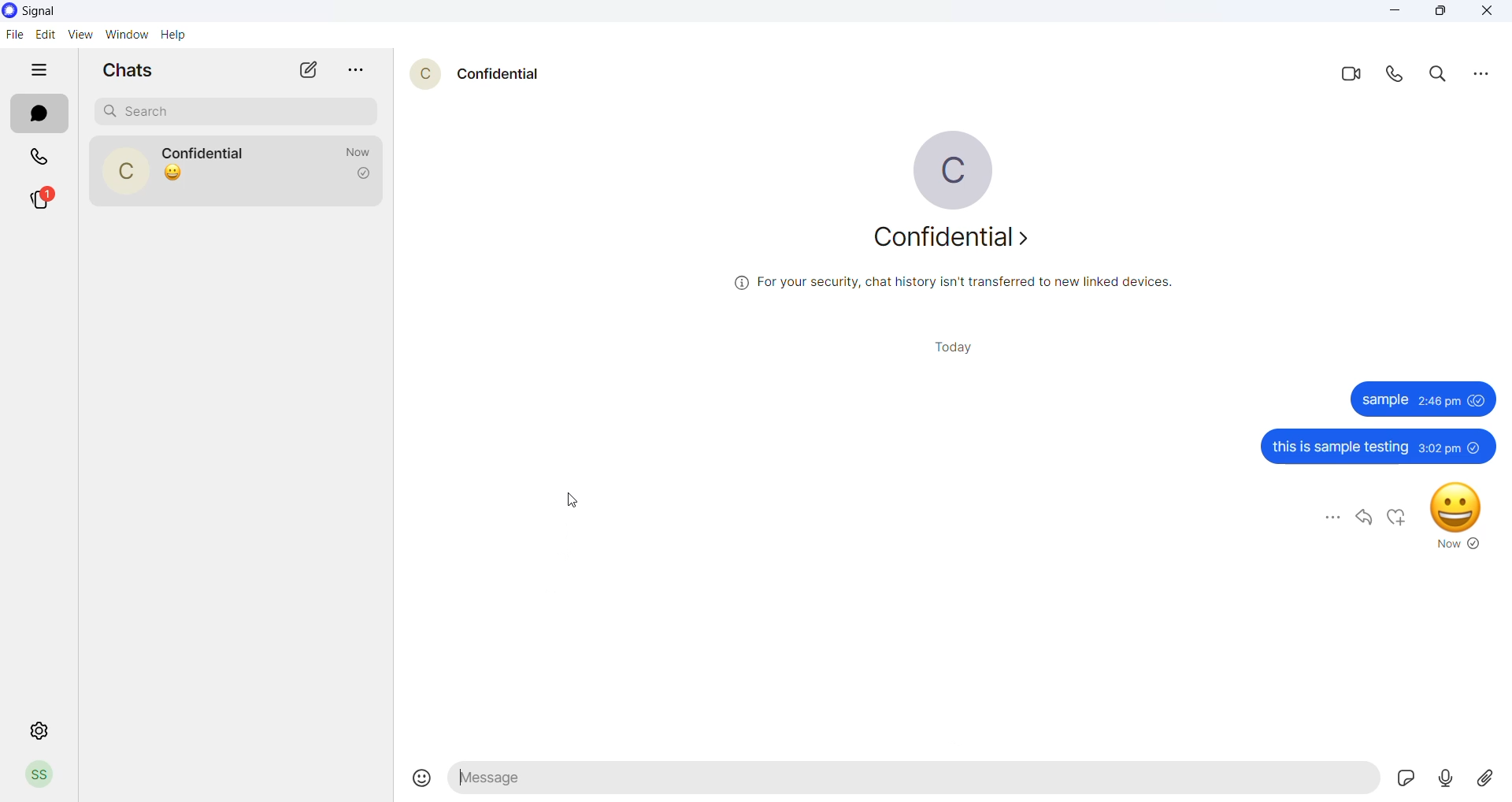  I want to click on Sticker, so click(1400, 778).